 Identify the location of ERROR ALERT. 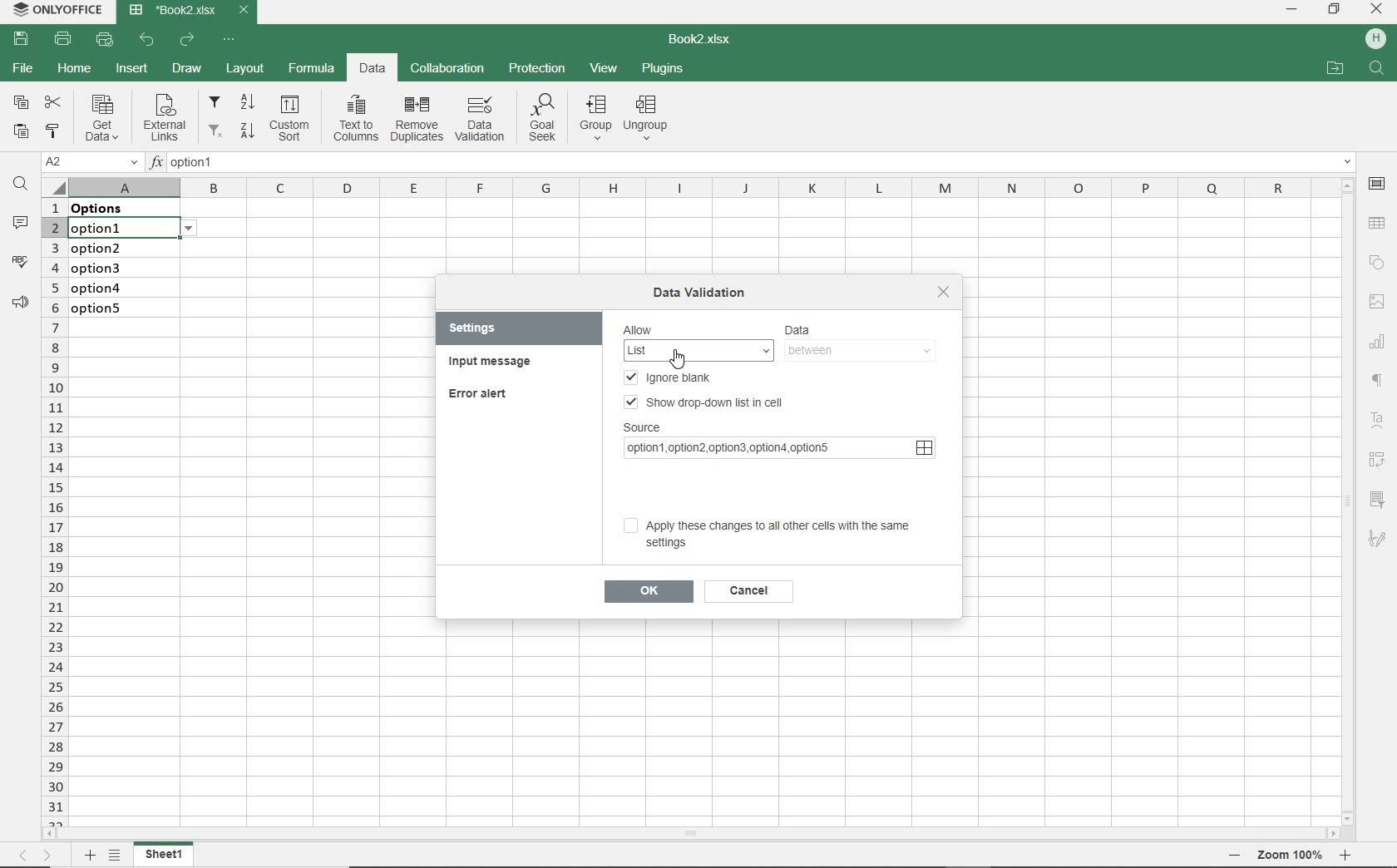
(481, 395).